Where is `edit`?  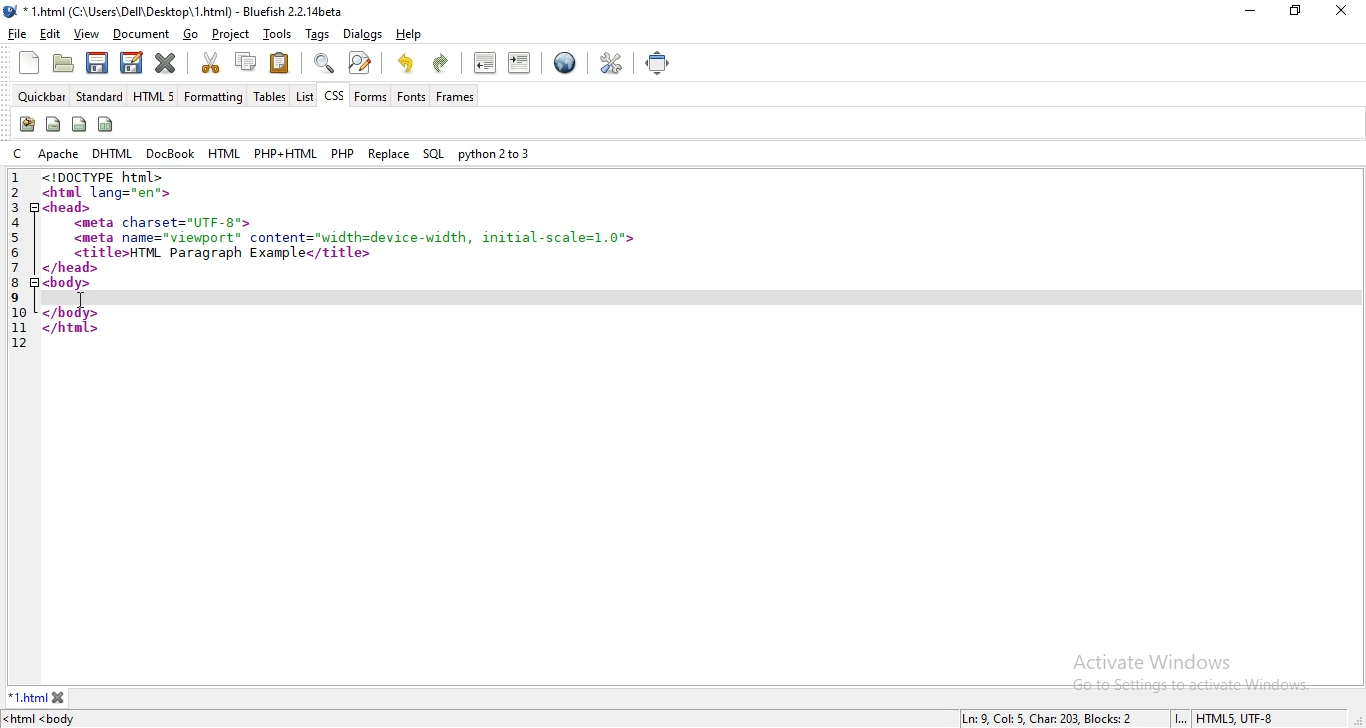
edit is located at coordinates (51, 33).